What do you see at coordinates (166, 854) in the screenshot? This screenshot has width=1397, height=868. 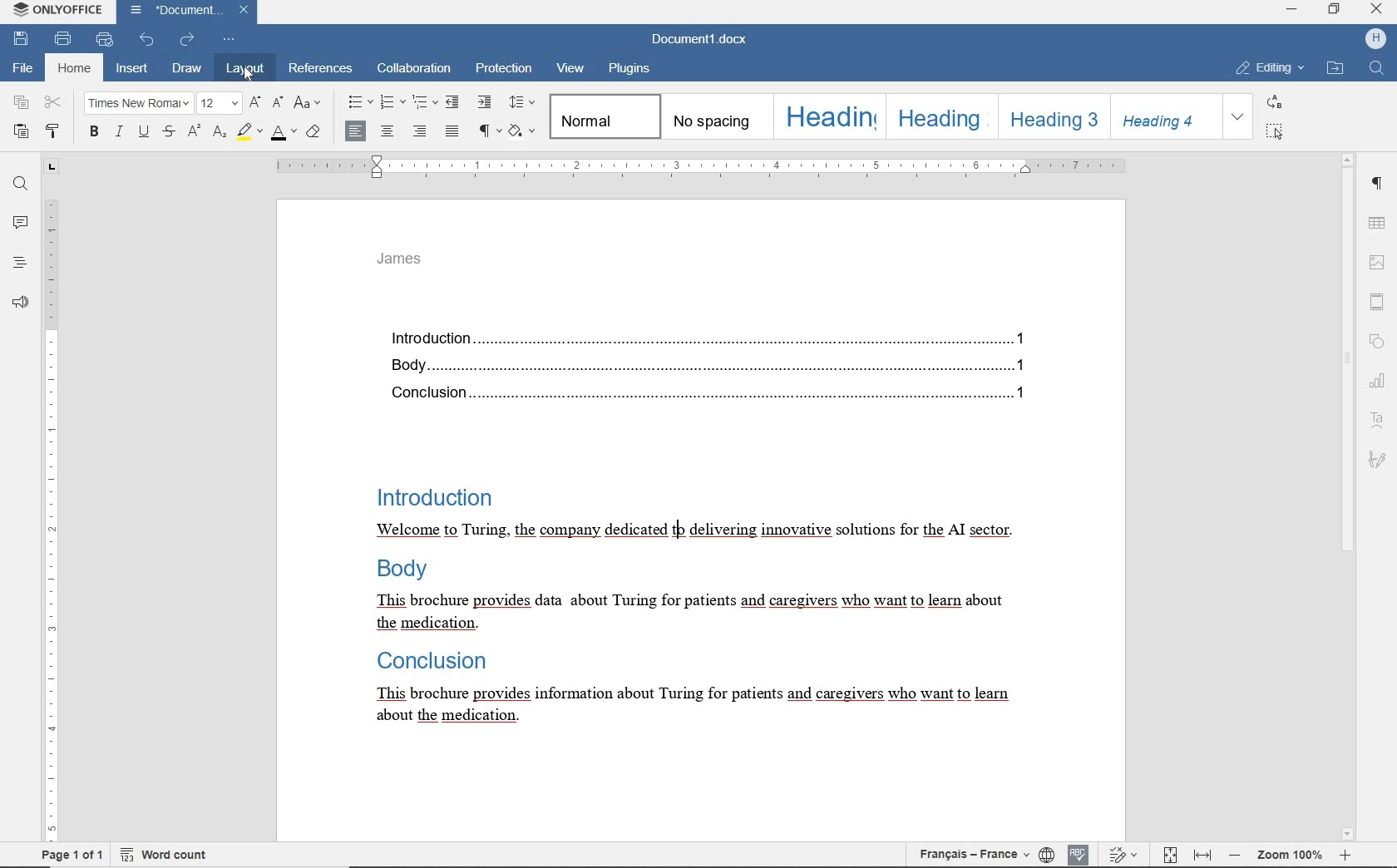 I see `word count` at bounding box center [166, 854].